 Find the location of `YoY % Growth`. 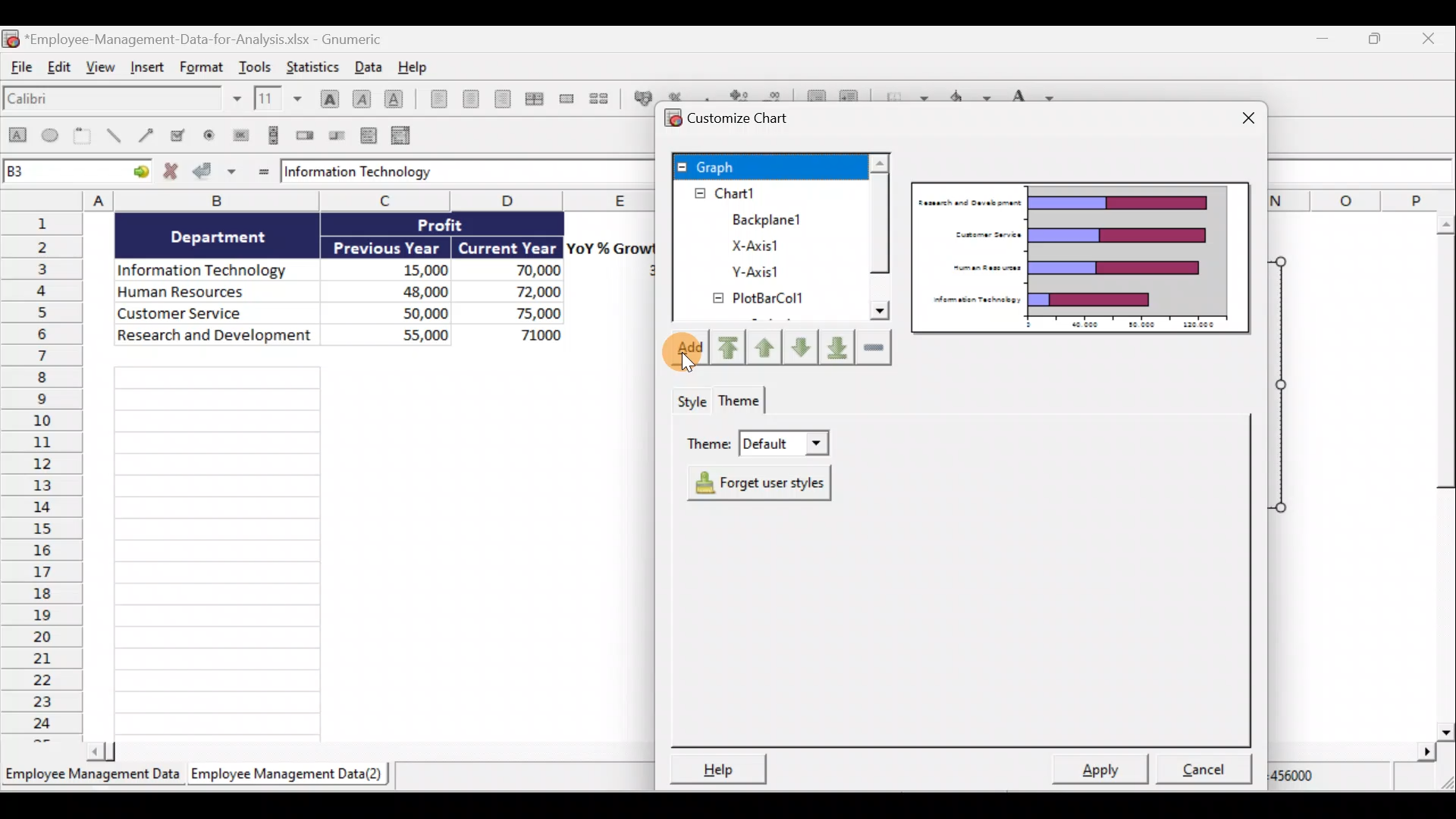

YoY % Growth is located at coordinates (611, 247).